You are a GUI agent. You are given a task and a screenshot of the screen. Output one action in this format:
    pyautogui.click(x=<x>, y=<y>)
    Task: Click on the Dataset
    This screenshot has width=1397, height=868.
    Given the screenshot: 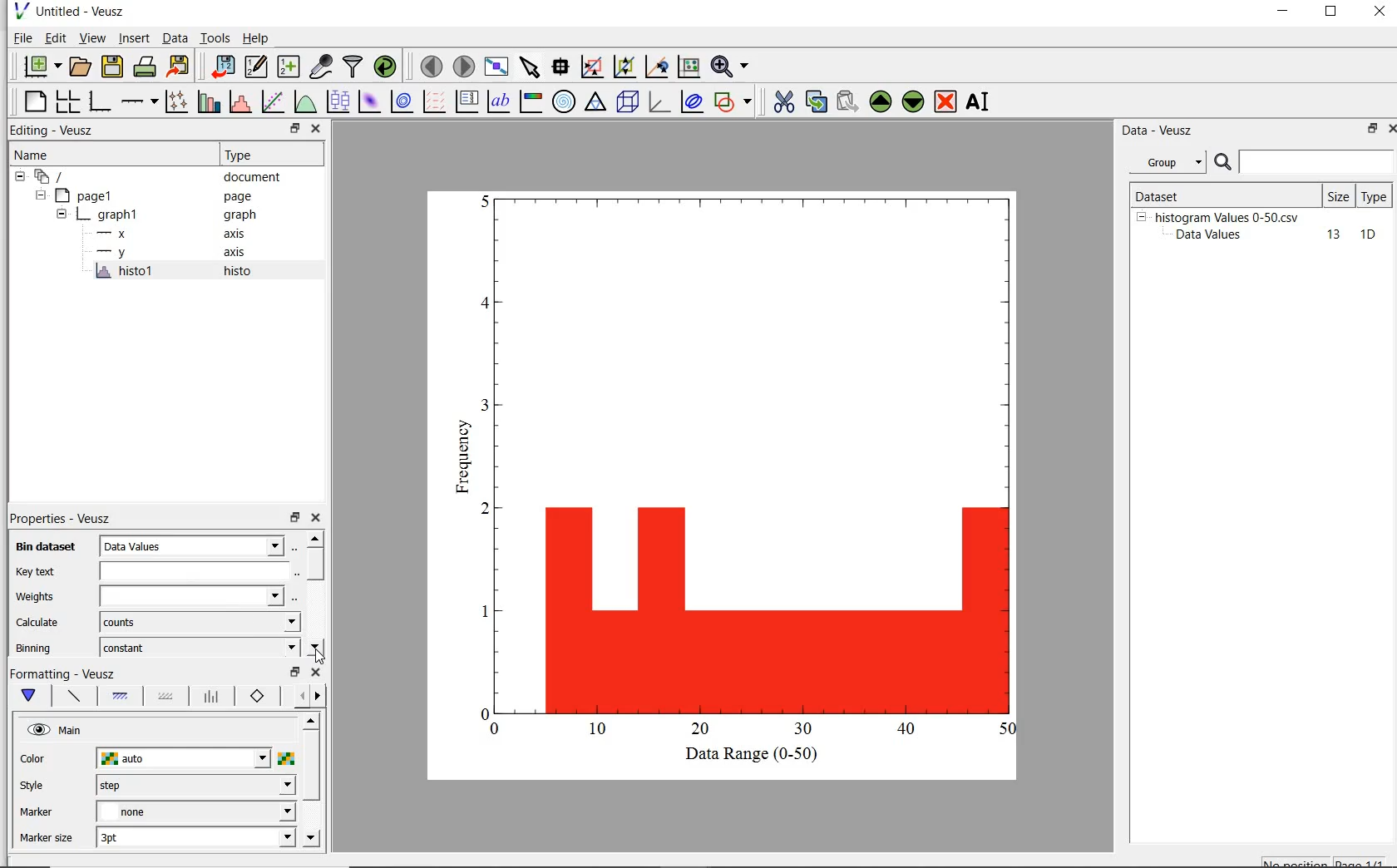 What is the action you would take?
    pyautogui.click(x=1184, y=194)
    